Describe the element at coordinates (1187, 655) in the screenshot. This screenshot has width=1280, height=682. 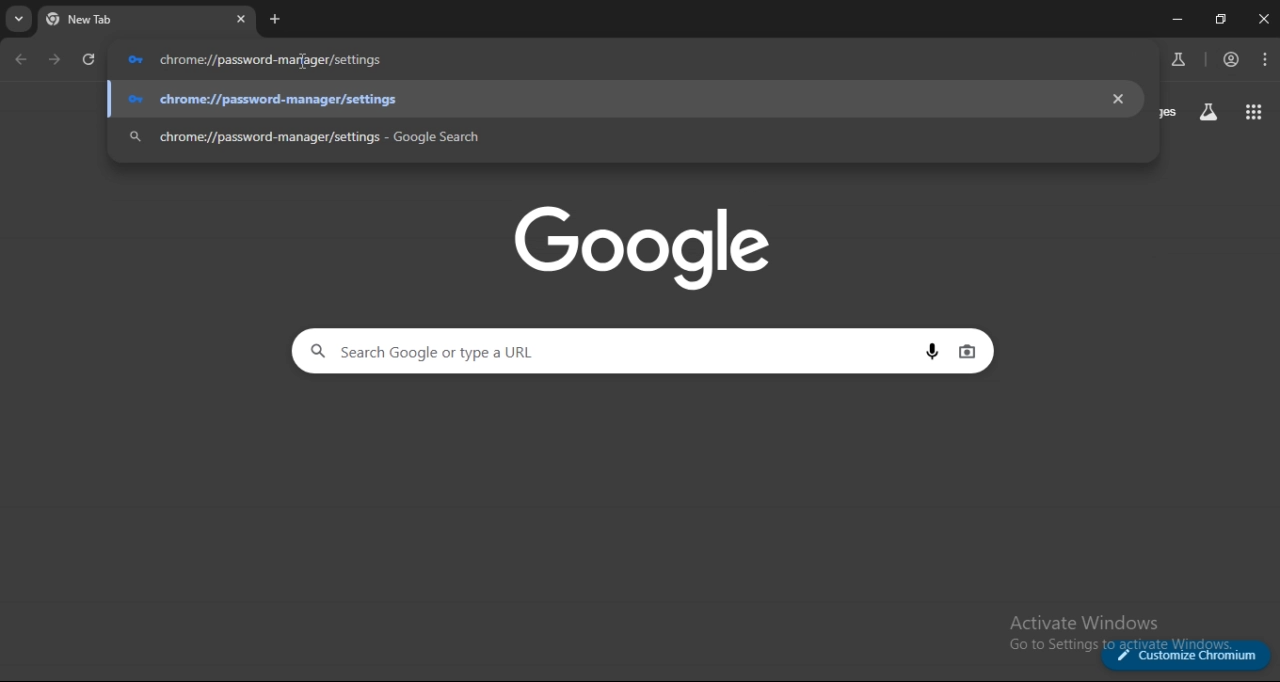
I see `customize chromium` at that location.